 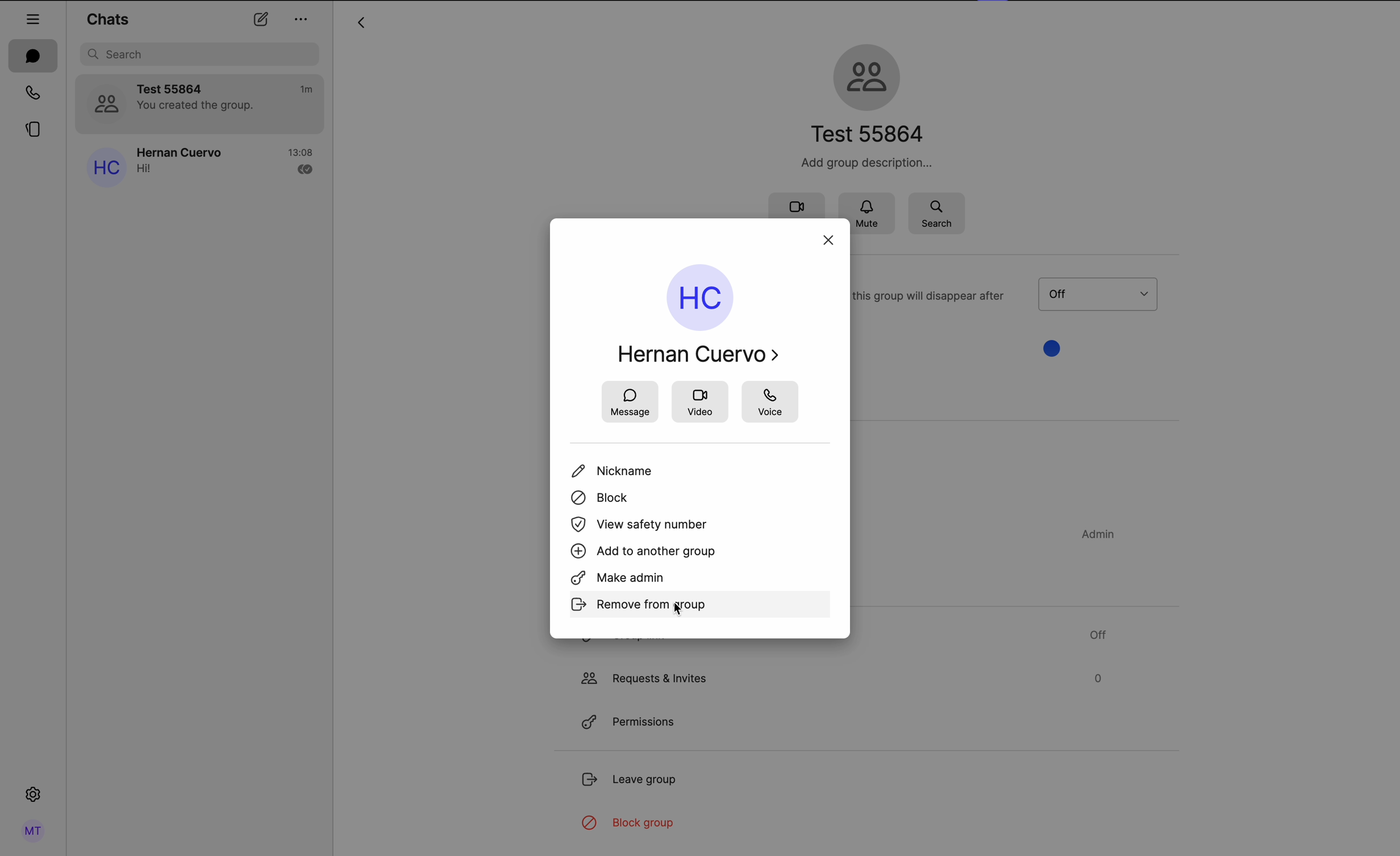 What do you see at coordinates (629, 403) in the screenshot?
I see `message button` at bounding box center [629, 403].